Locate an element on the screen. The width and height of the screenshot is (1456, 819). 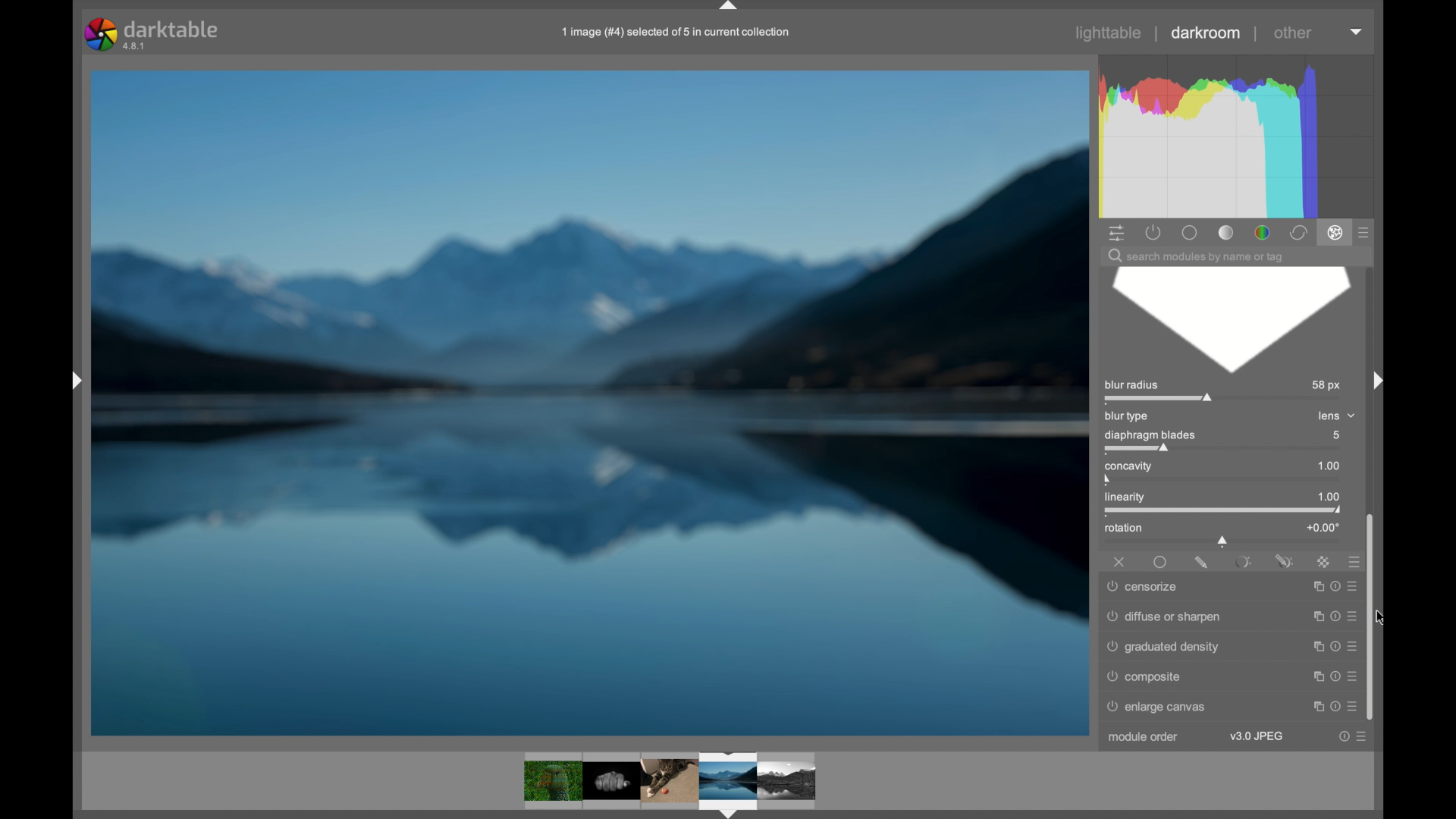
linearity is located at coordinates (1137, 500).